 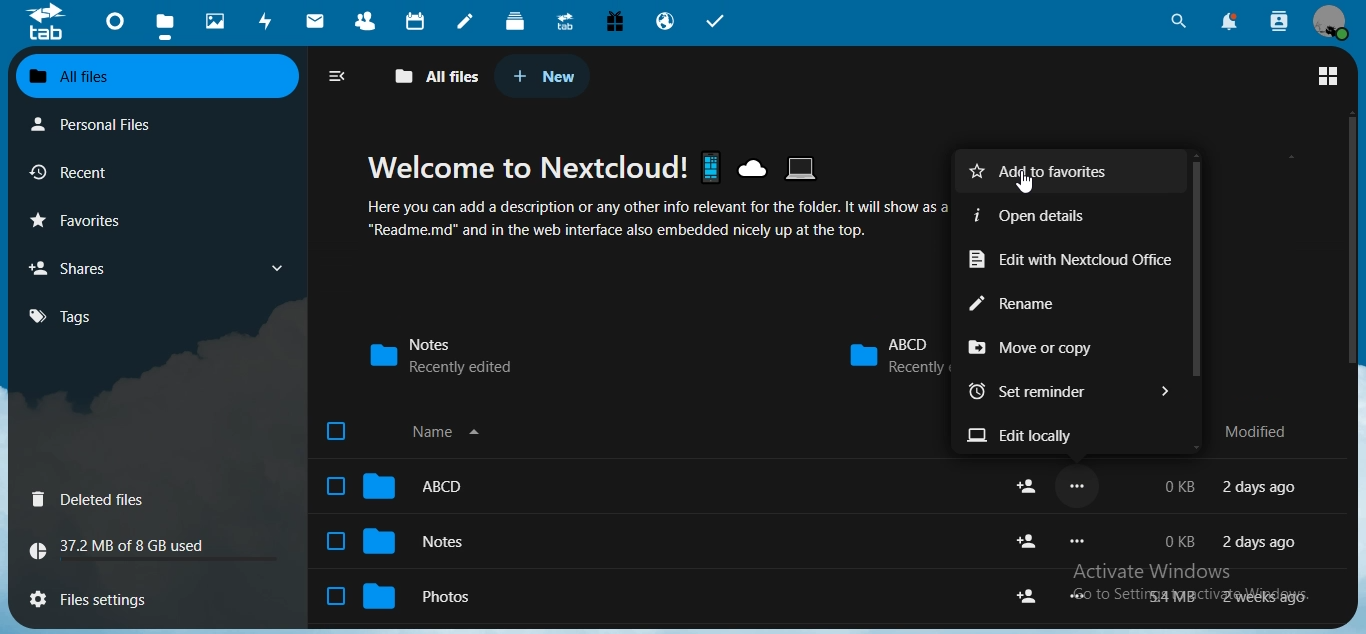 What do you see at coordinates (47, 23) in the screenshot?
I see `icon` at bounding box center [47, 23].